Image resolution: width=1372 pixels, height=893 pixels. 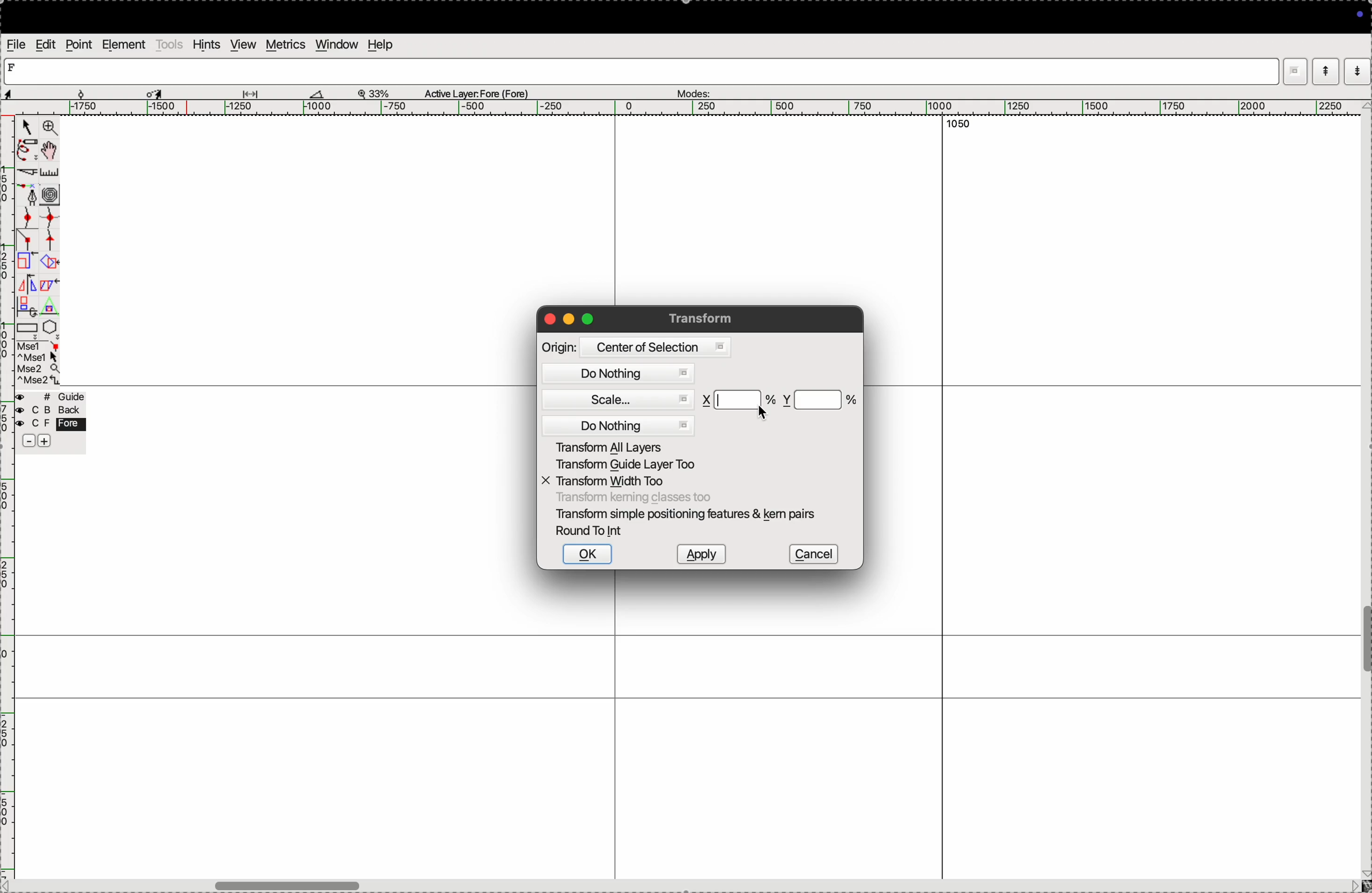 I want to click on scale, so click(x=623, y=401).